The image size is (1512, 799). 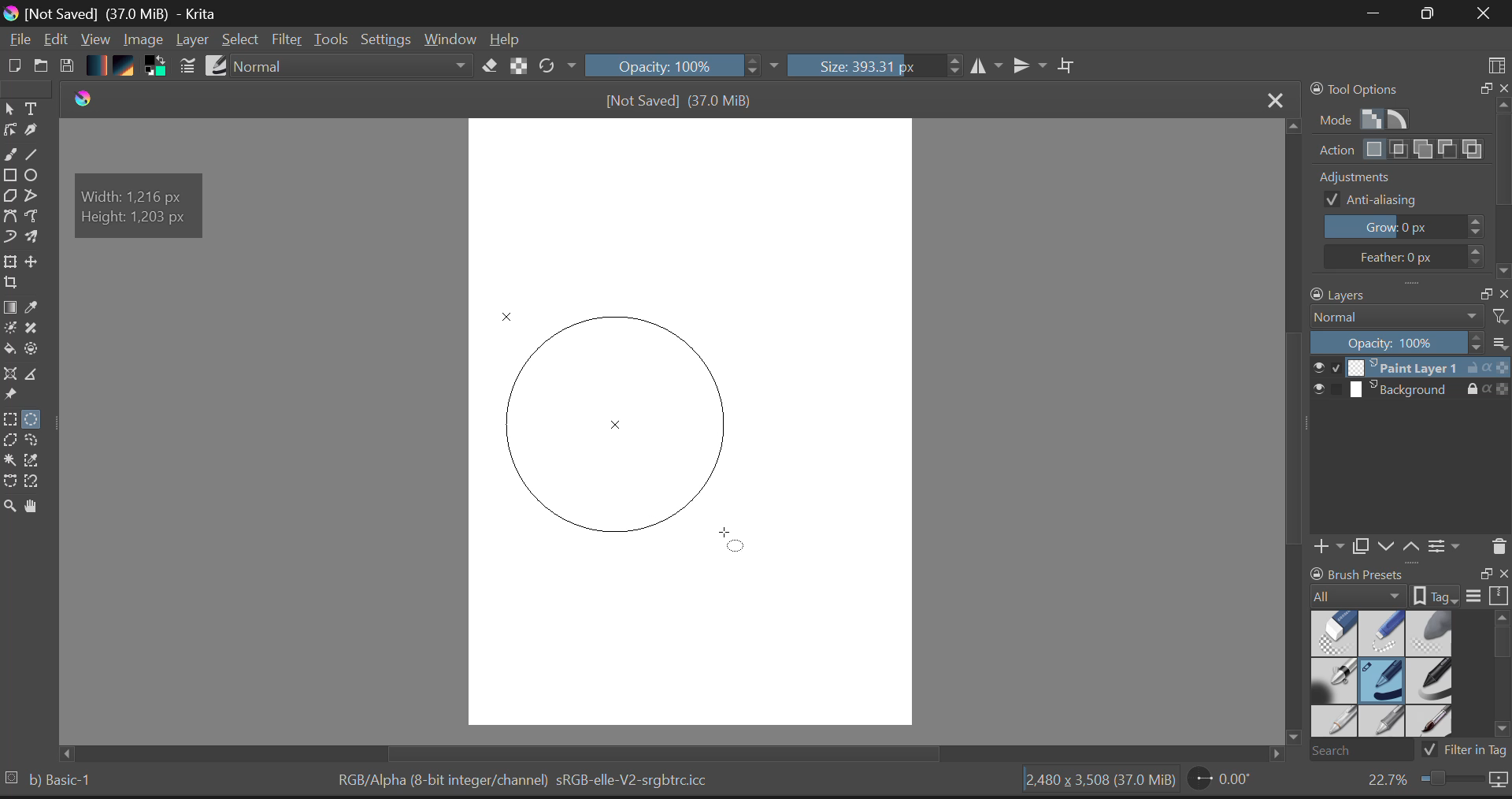 What do you see at coordinates (37, 349) in the screenshot?
I see `Enclose and Fill` at bounding box center [37, 349].